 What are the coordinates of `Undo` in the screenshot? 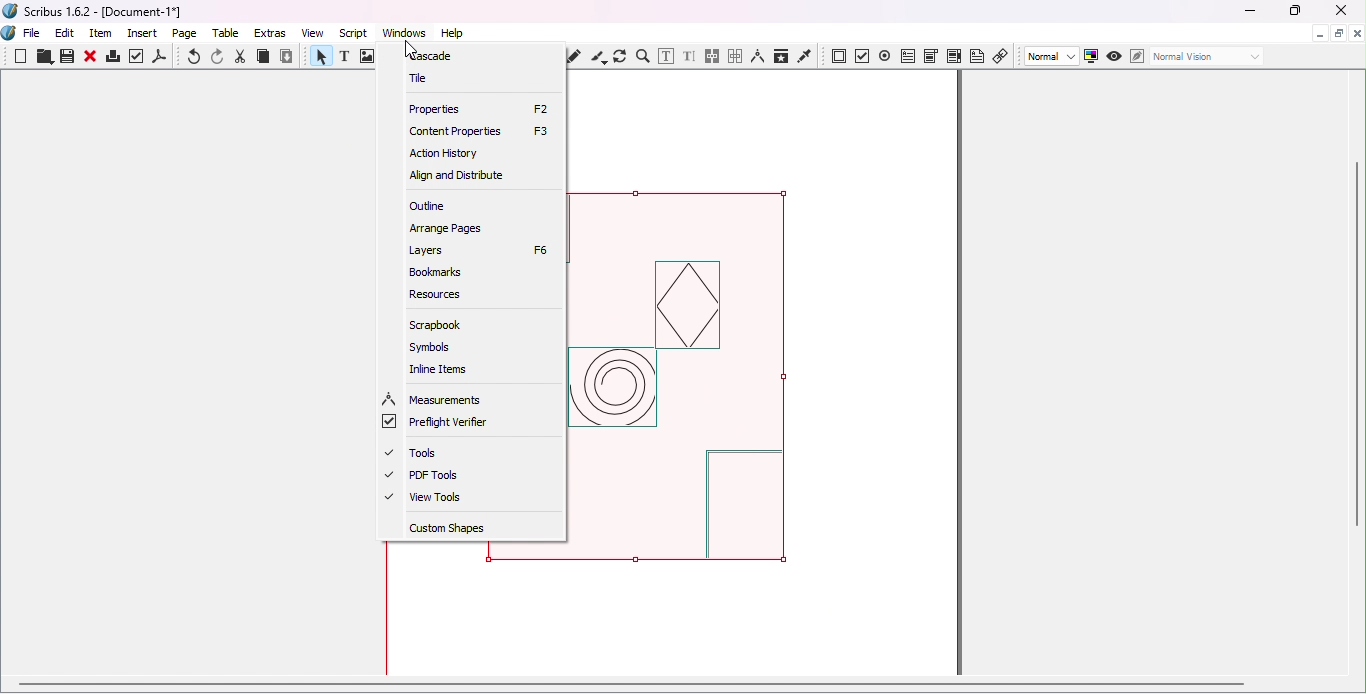 It's located at (195, 58).